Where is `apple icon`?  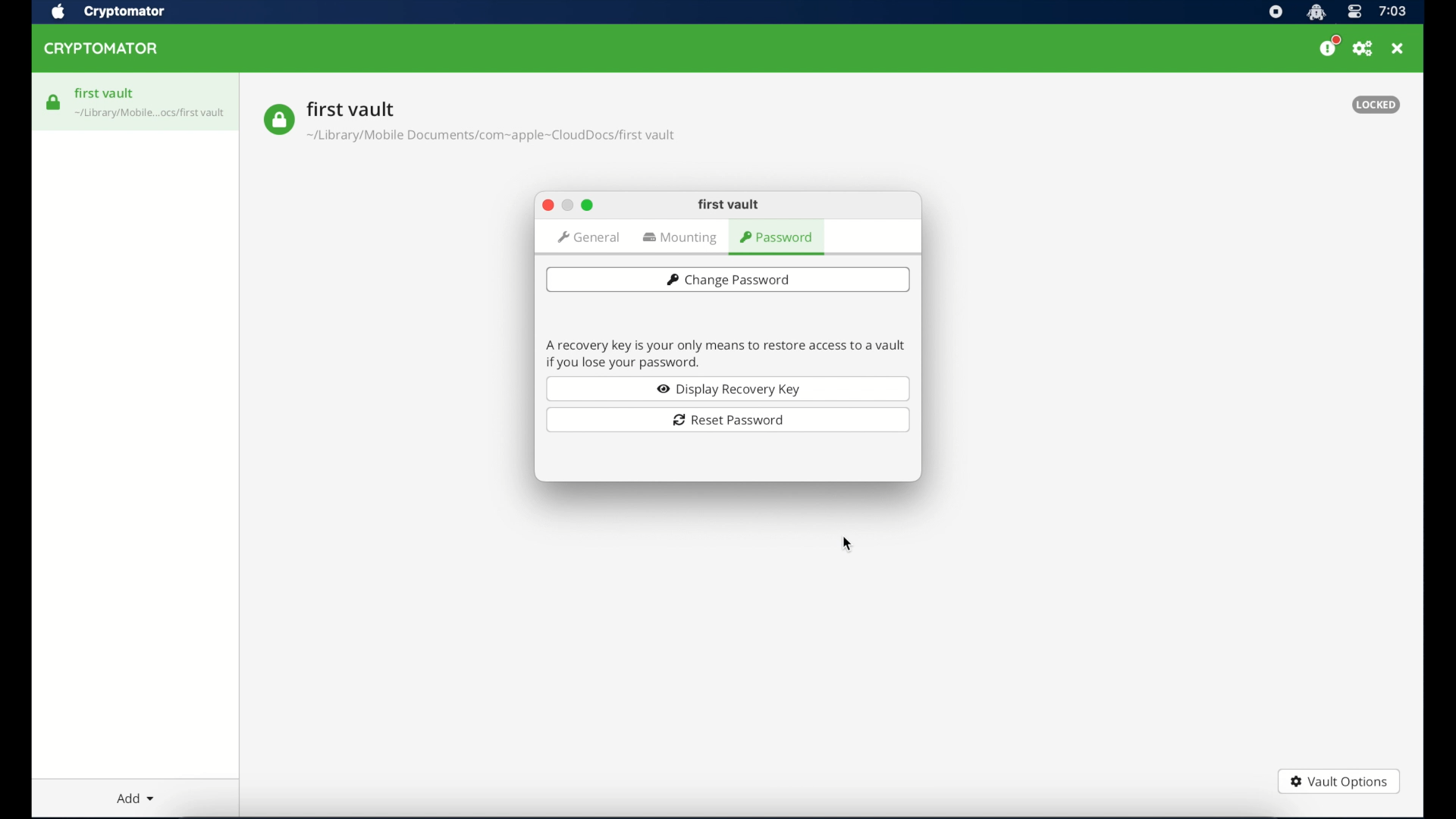
apple icon is located at coordinates (57, 12).